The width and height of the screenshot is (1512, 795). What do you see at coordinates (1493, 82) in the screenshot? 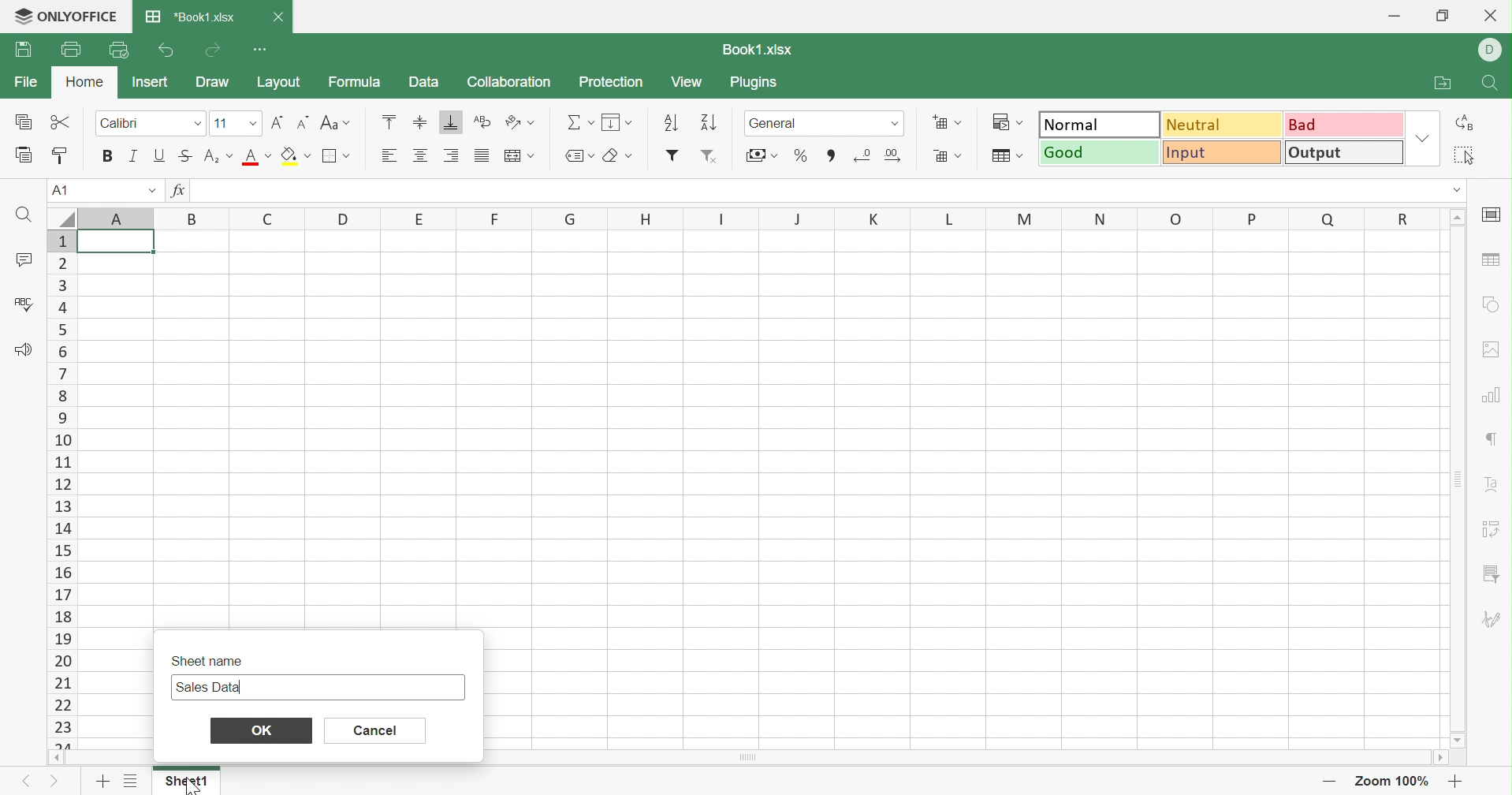
I see `Search` at bounding box center [1493, 82].